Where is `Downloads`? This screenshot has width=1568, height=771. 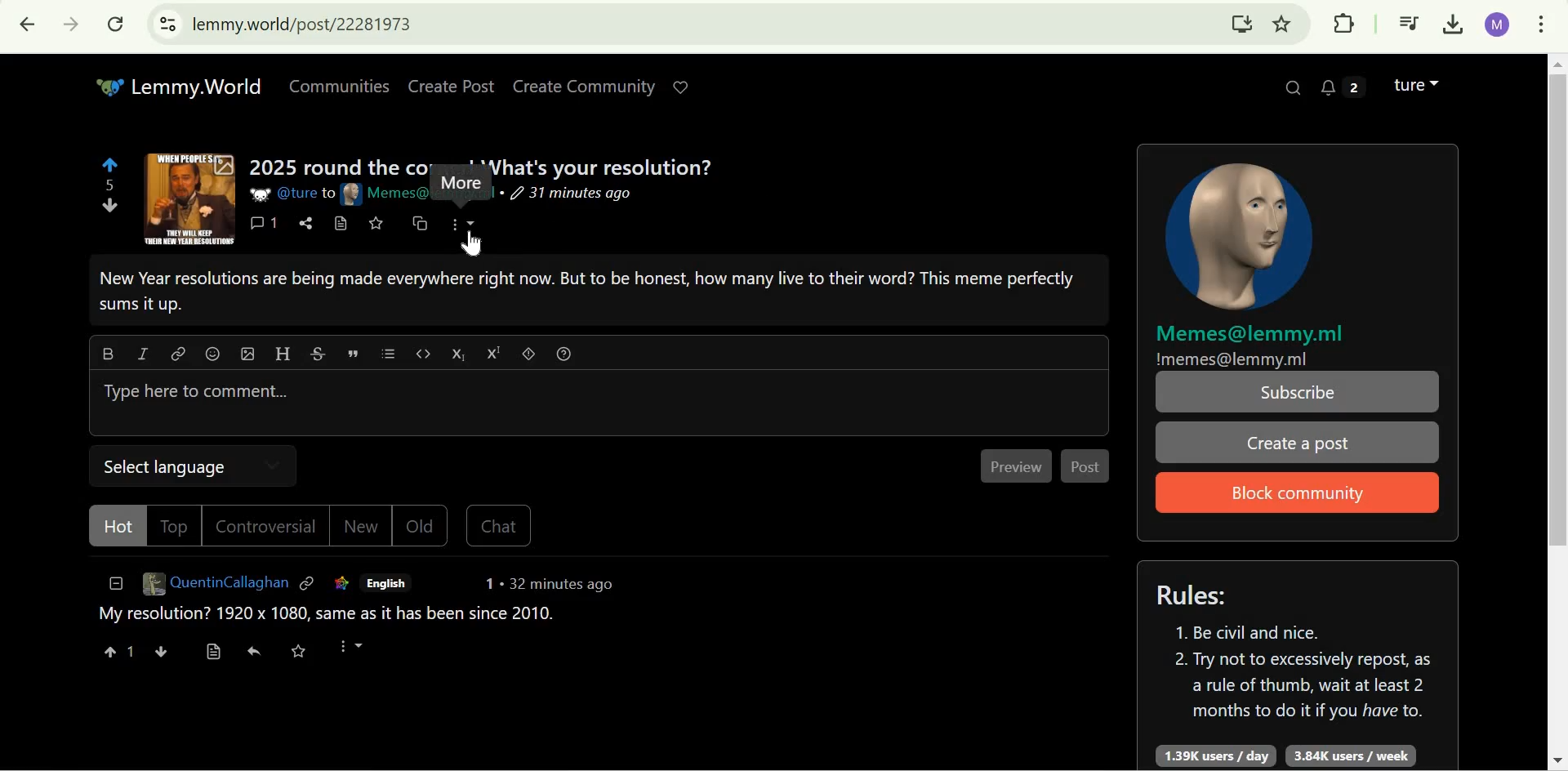 Downloads is located at coordinates (1455, 25).